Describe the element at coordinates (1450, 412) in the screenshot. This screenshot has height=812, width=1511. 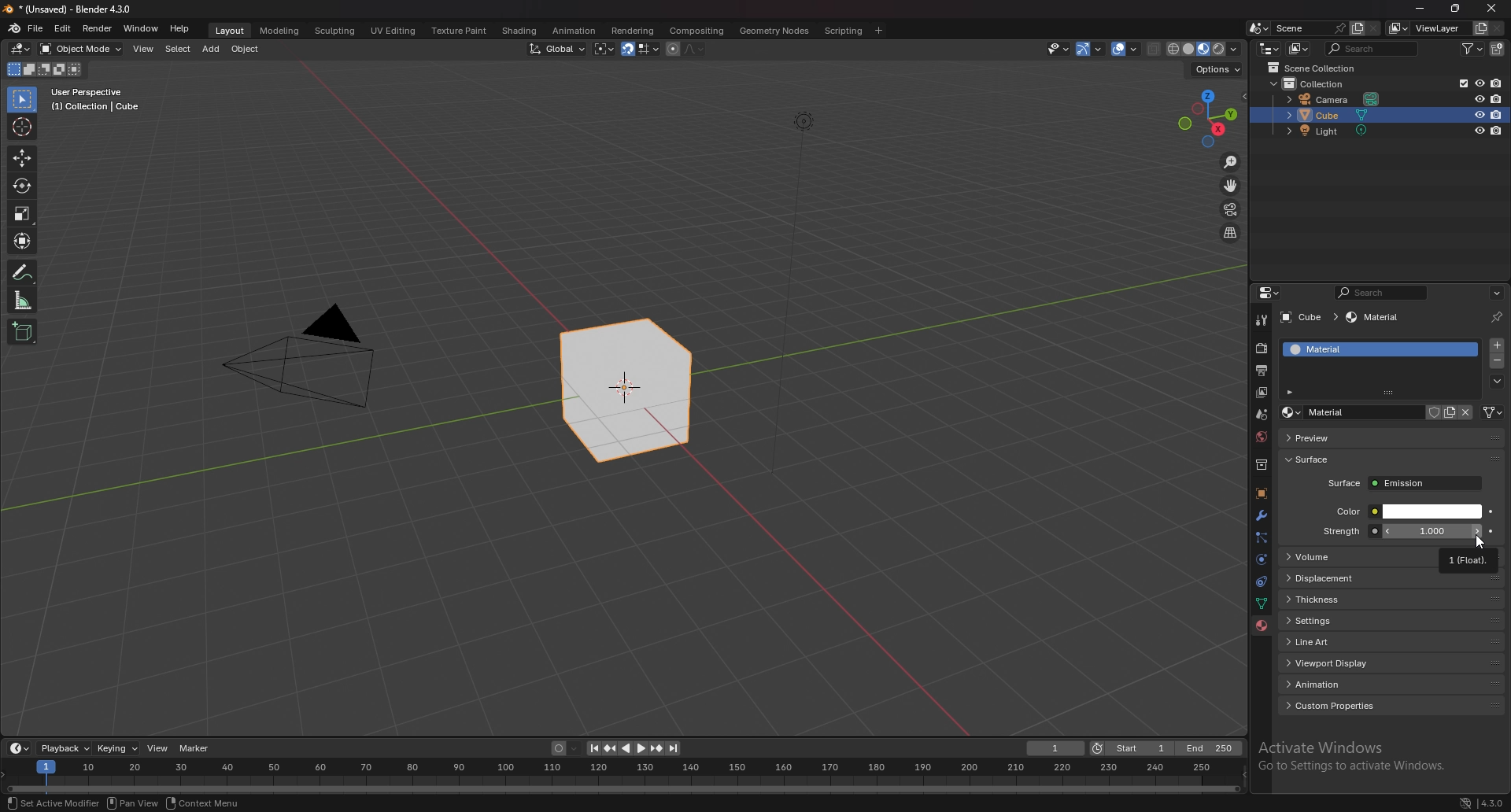
I see `new material` at that location.